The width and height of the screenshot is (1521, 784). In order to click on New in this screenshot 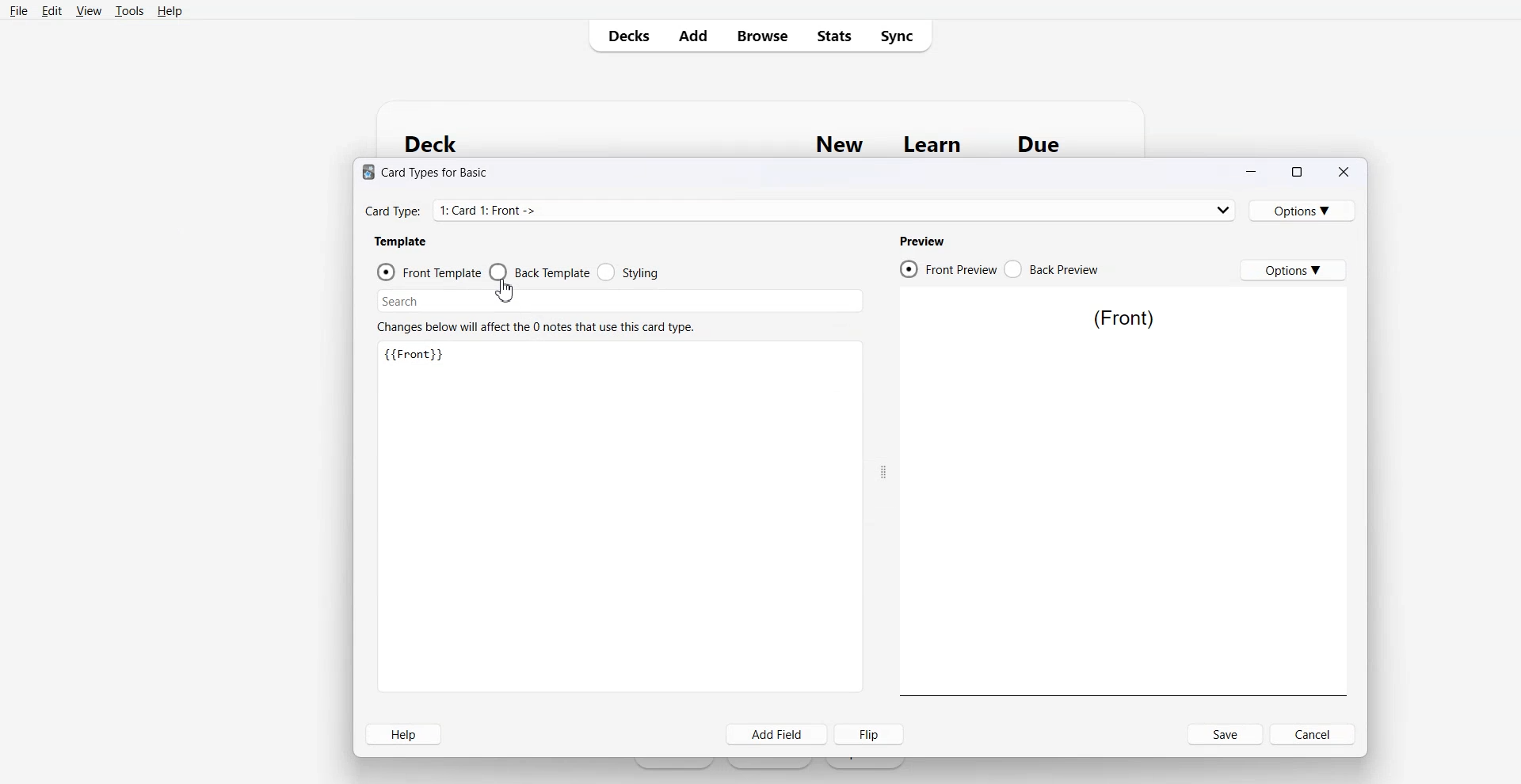, I will do `click(840, 144)`.